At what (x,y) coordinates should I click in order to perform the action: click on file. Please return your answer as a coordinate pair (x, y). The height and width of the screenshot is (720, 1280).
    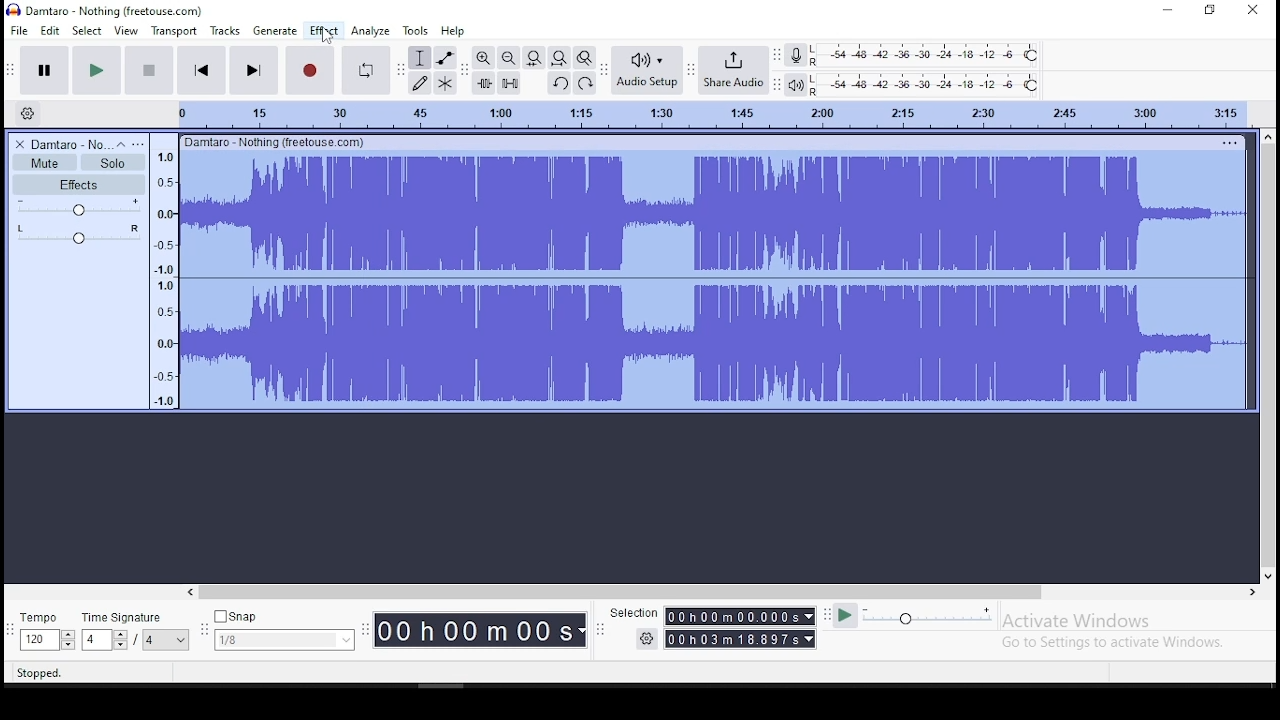
    Looking at the image, I should click on (18, 29).